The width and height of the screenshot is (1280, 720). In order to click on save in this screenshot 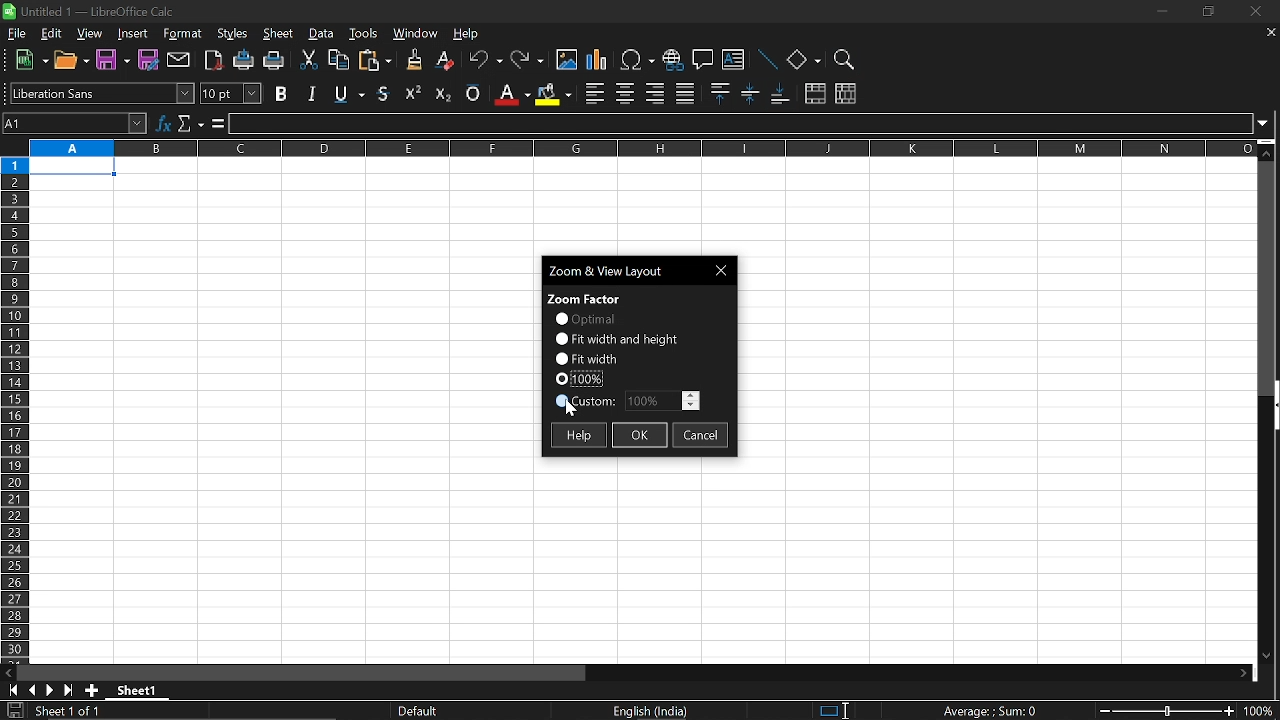, I will do `click(14, 711)`.